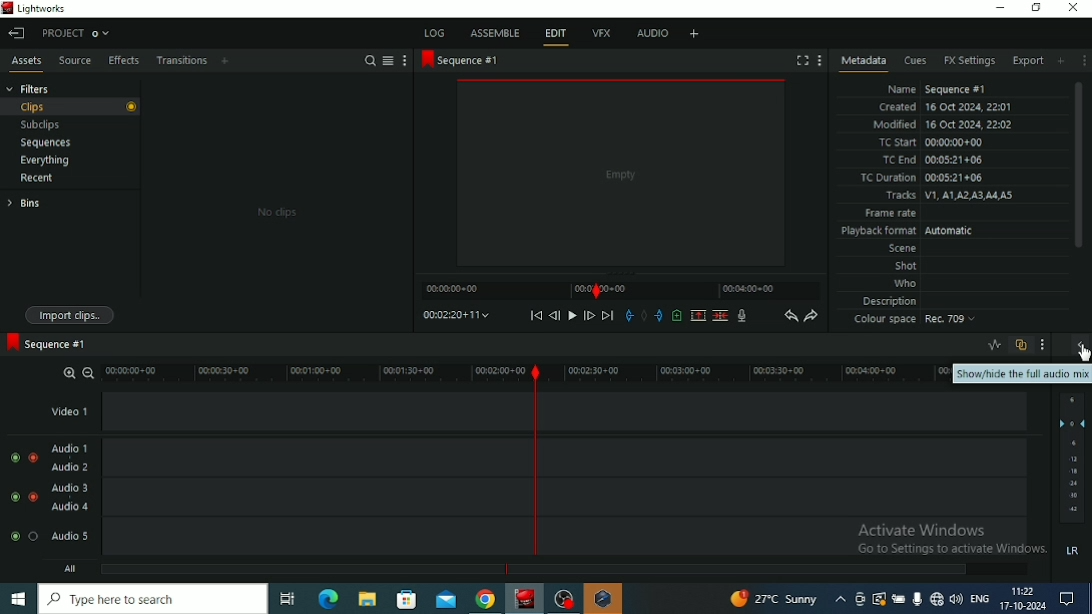 Image resolution: width=1092 pixels, height=614 pixels. Describe the element at coordinates (1000, 7) in the screenshot. I see `Minimize` at that location.